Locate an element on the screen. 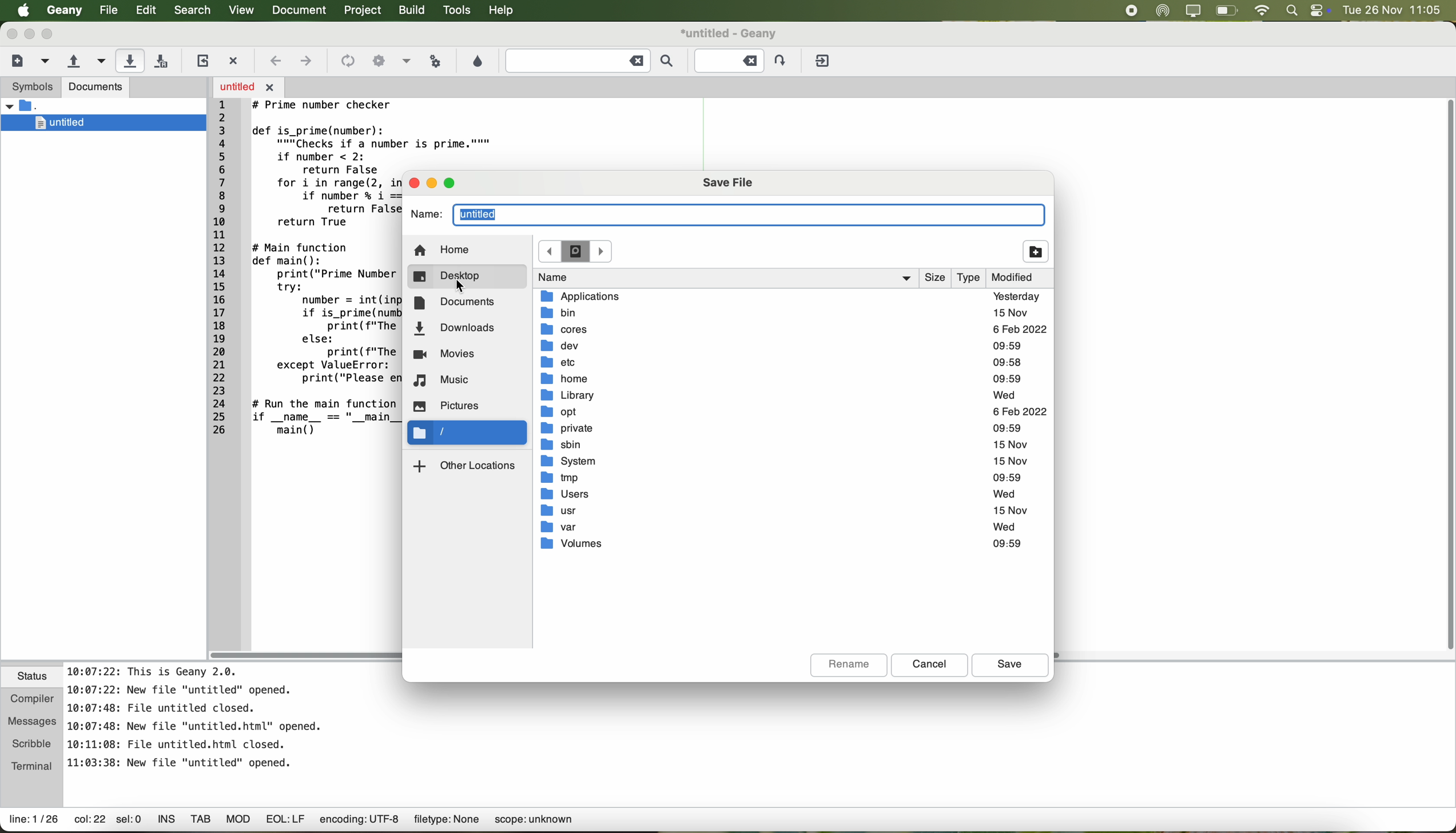 This screenshot has height=833, width=1456. compiler is located at coordinates (33, 697).